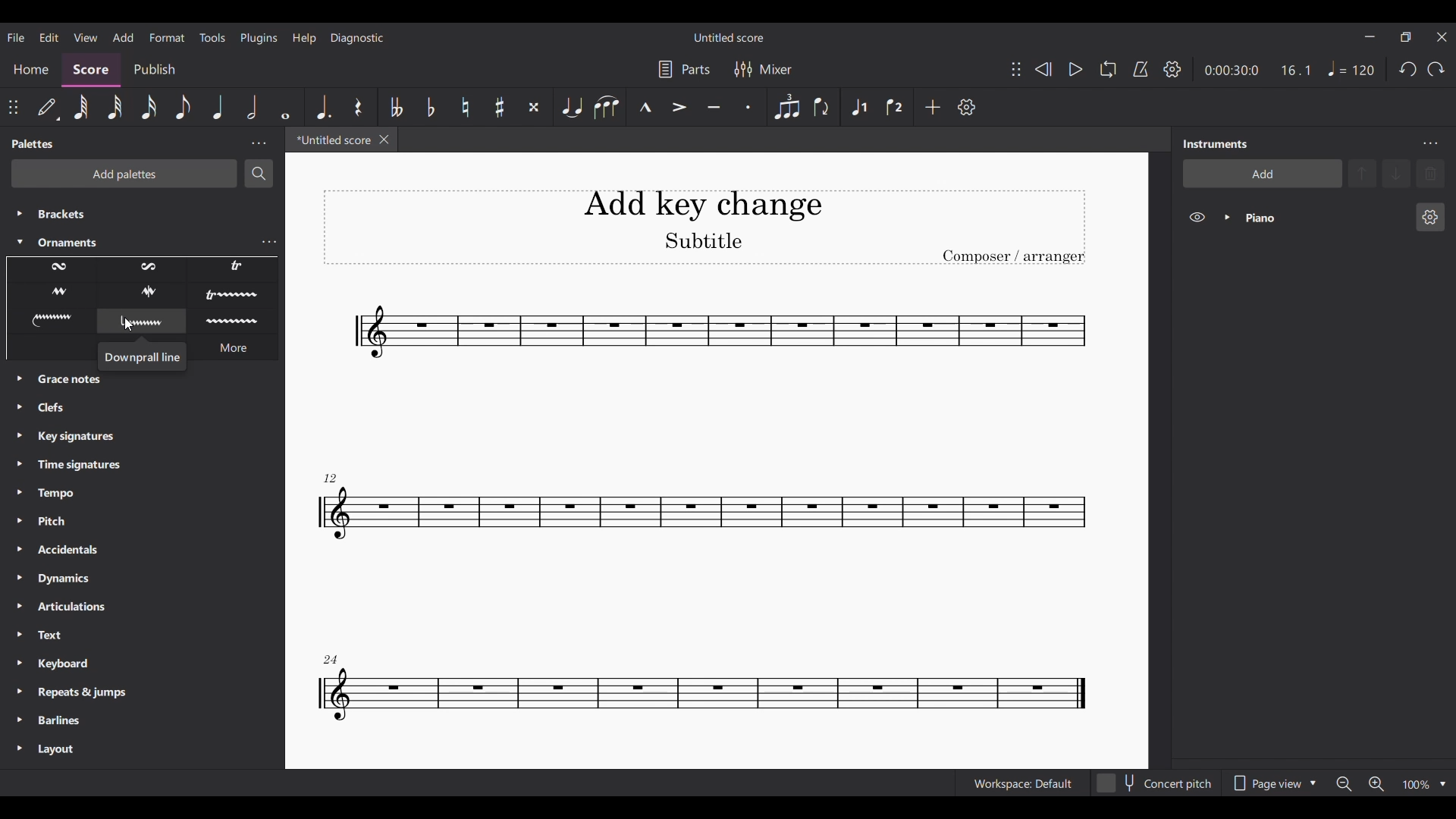 This screenshot has height=819, width=1456. Describe the element at coordinates (1417, 786) in the screenshot. I see `Current zoom factor` at that location.